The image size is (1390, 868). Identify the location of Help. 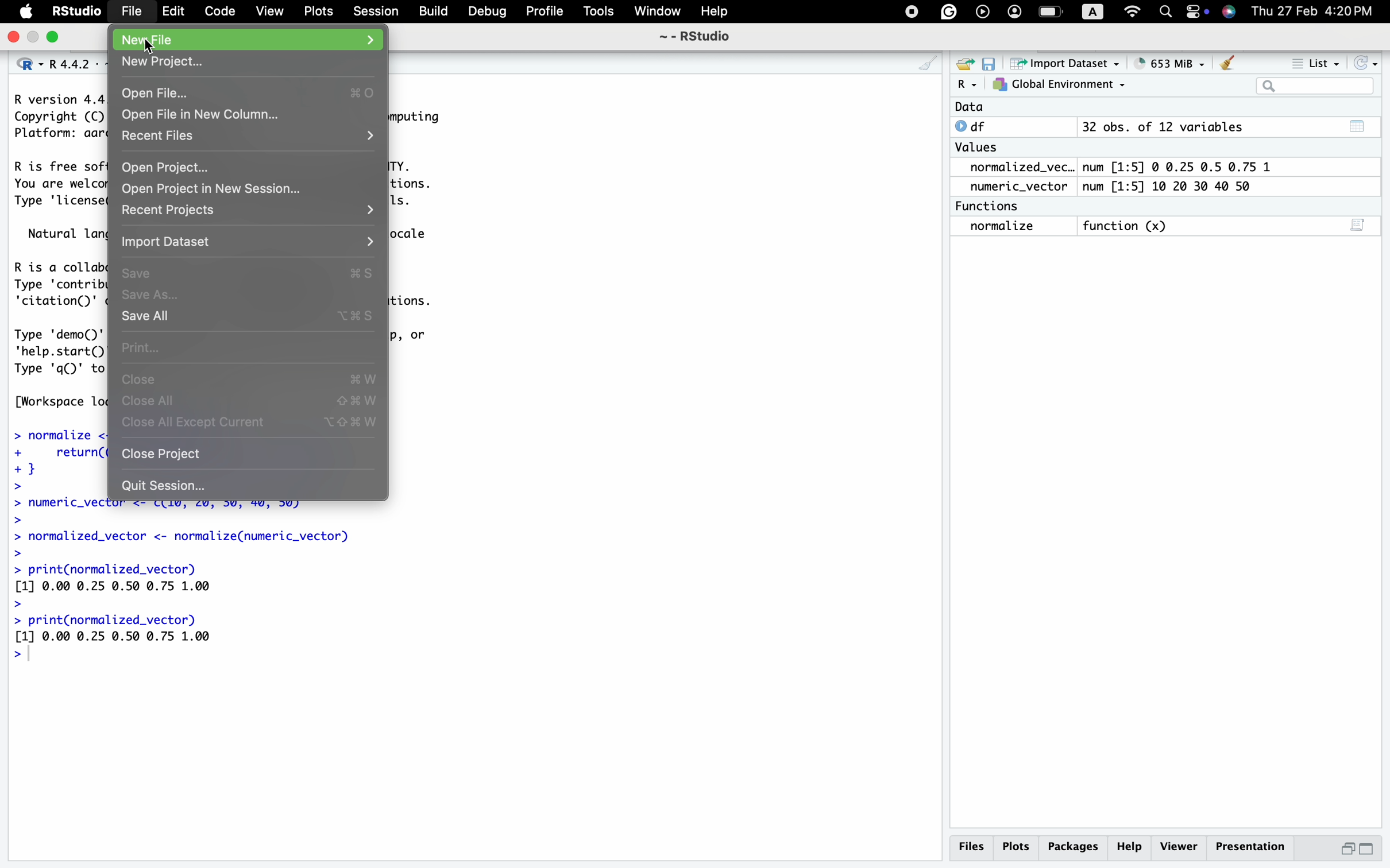
(716, 12).